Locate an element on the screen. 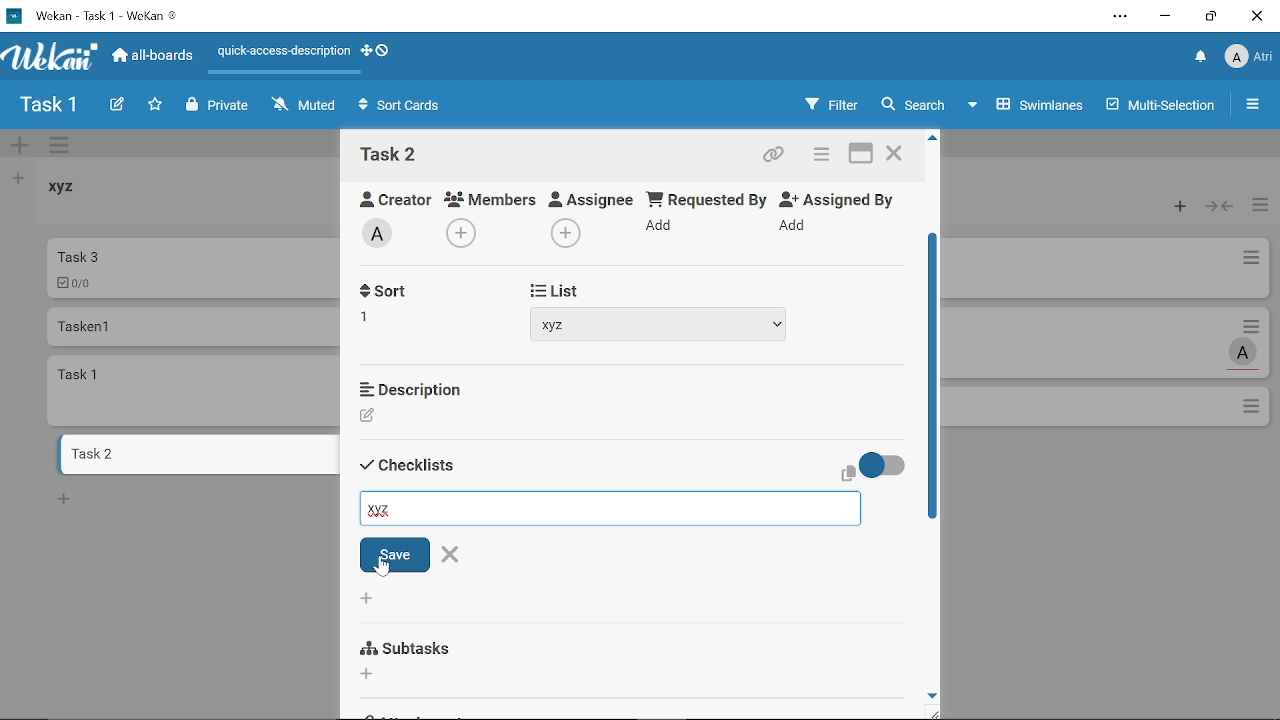 The width and height of the screenshot is (1280, 720). Add is located at coordinates (369, 673).